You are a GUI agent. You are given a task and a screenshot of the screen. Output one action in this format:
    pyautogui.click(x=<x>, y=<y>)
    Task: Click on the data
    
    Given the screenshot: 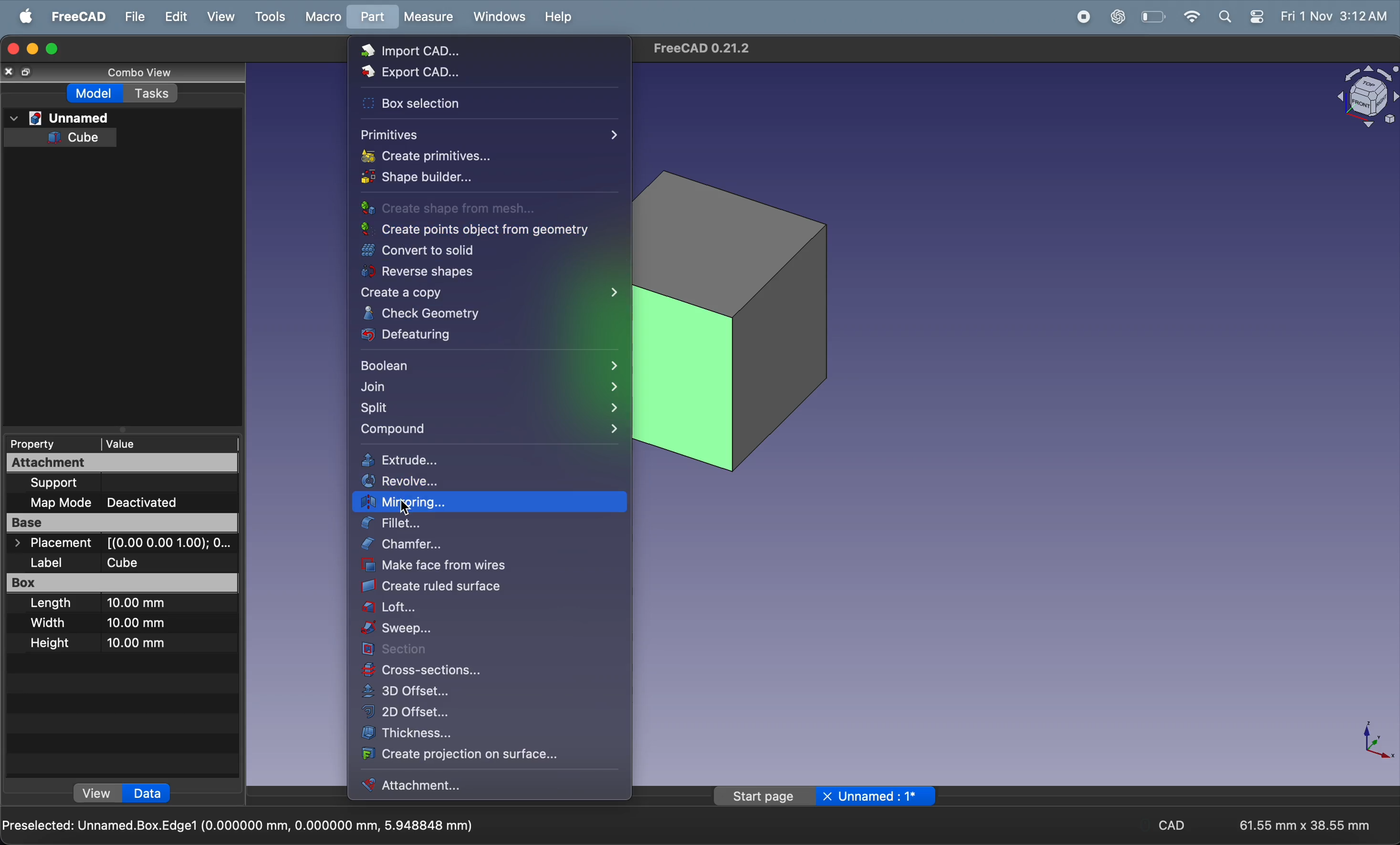 What is the action you would take?
    pyautogui.click(x=148, y=792)
    